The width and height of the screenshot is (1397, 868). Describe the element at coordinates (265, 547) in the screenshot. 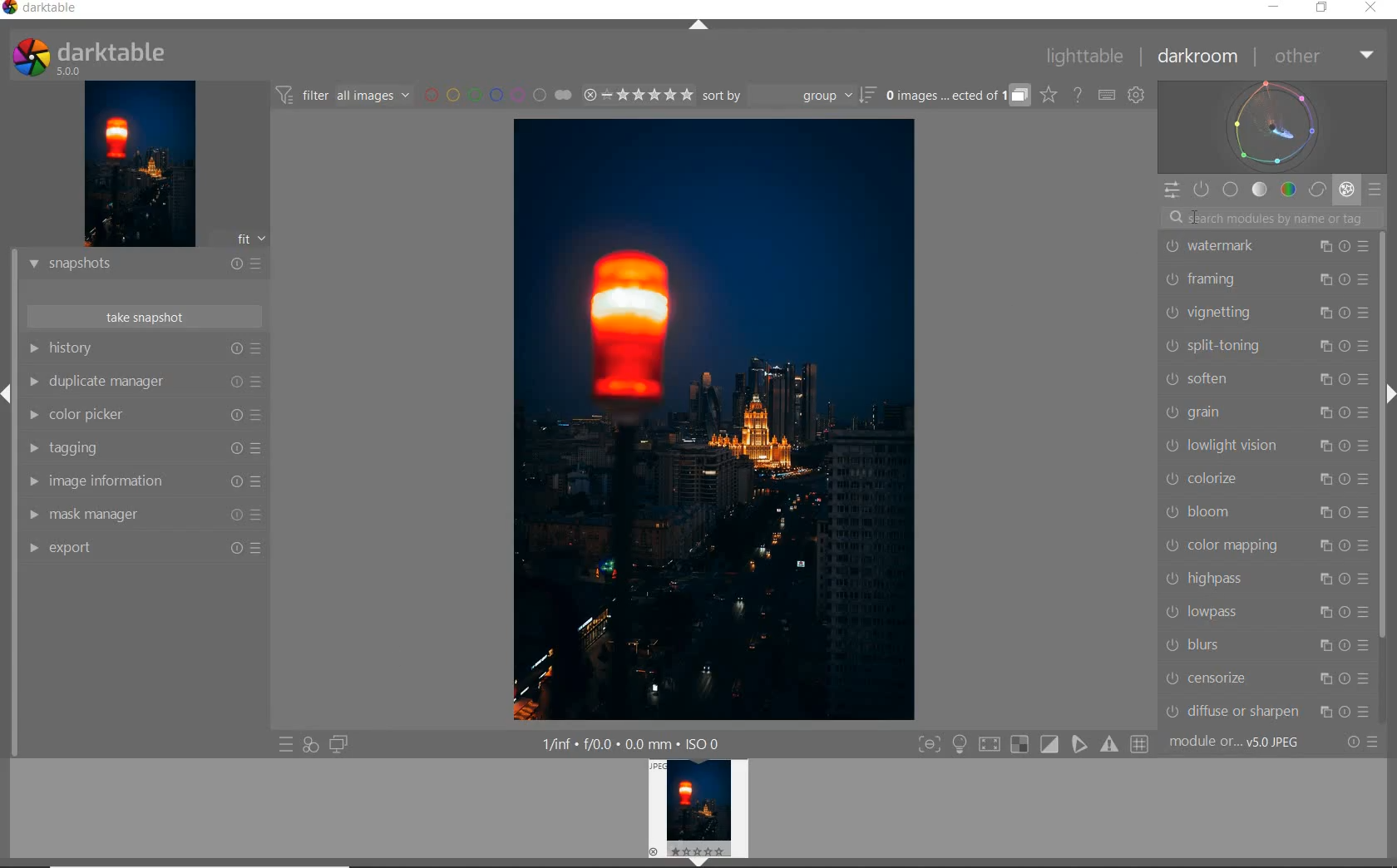

I see `Preset and reset` at that location.